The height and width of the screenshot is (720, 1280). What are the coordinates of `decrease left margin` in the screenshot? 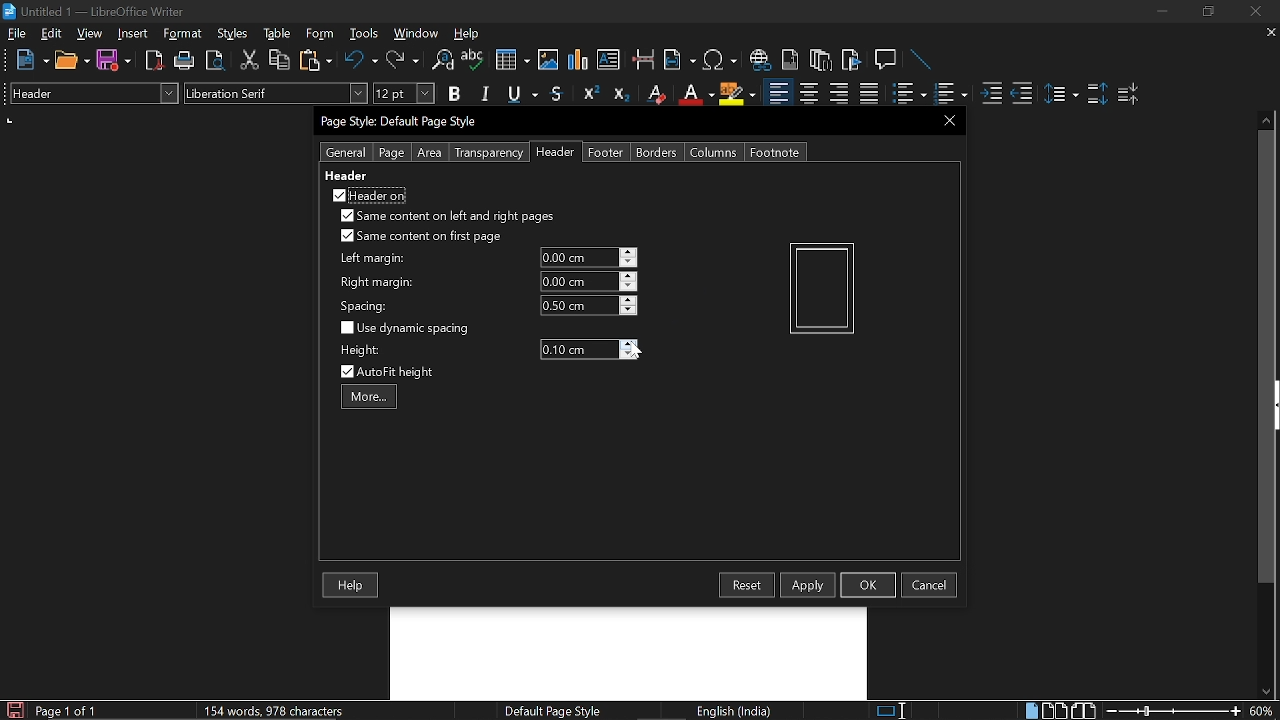 It's located at (629, 263).